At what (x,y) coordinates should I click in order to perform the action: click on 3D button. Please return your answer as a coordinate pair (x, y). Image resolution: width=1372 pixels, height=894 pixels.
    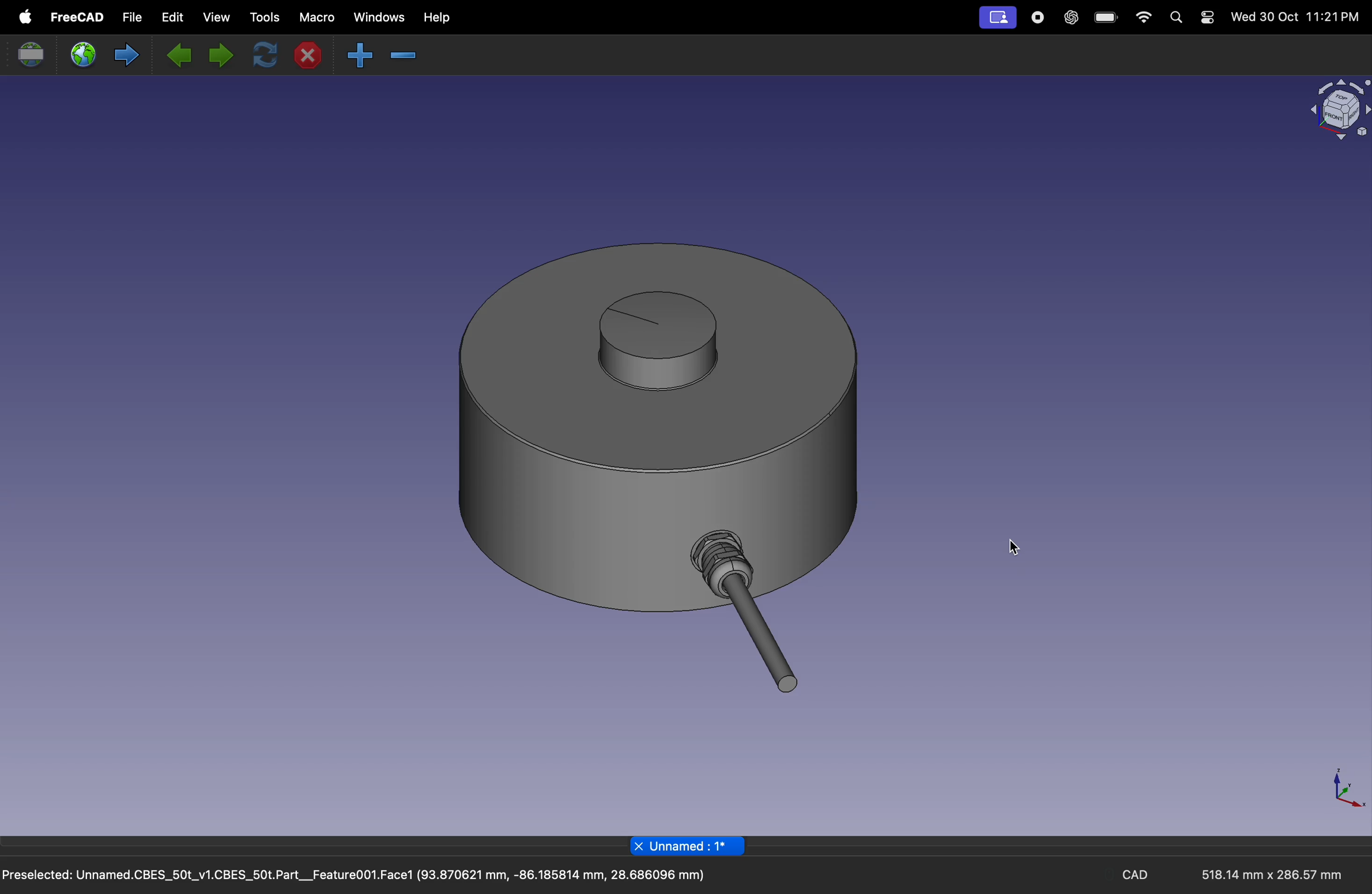
    Looking at the image, I should click on (671, 467).